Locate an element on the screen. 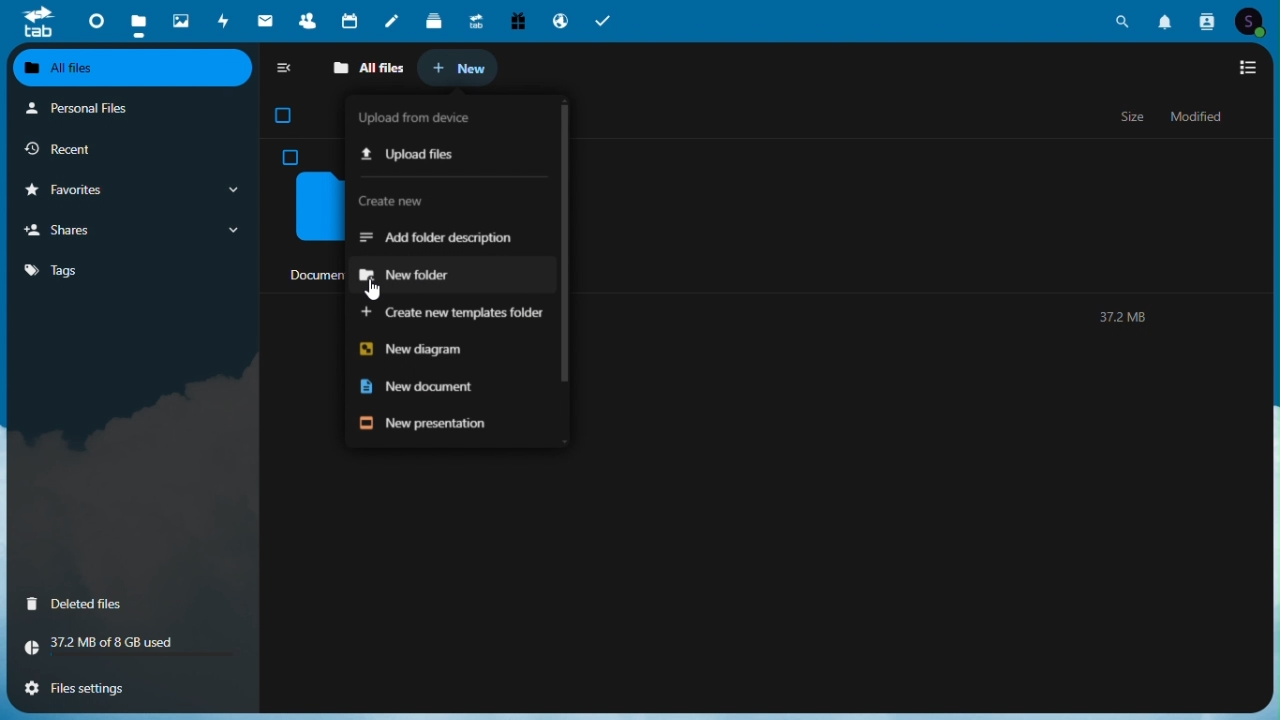  tab is located at coordinates (32, 21).